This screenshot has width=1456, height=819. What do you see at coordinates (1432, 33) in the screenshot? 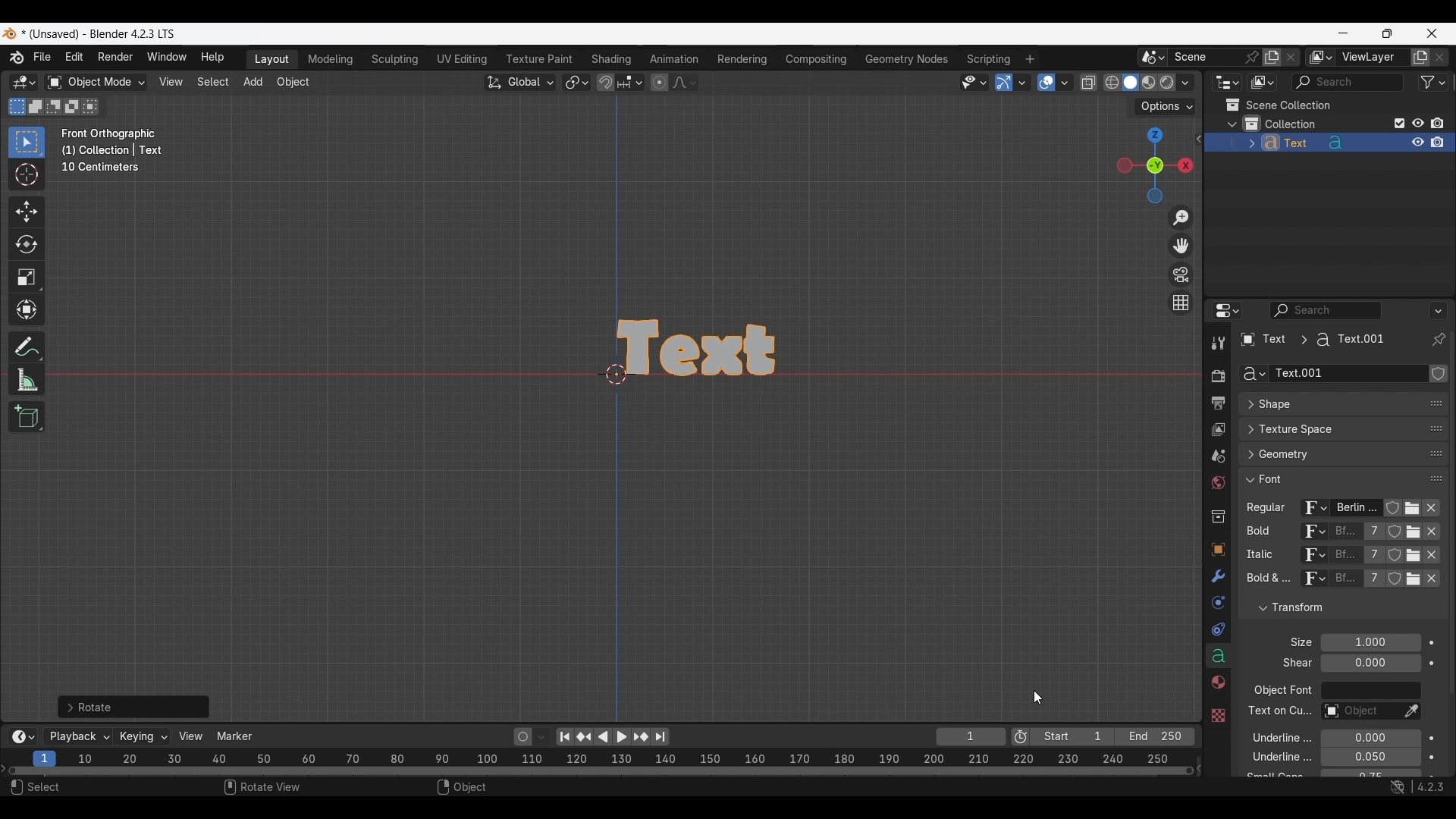
I see `Close interface` at bounding box center [1432, 33].